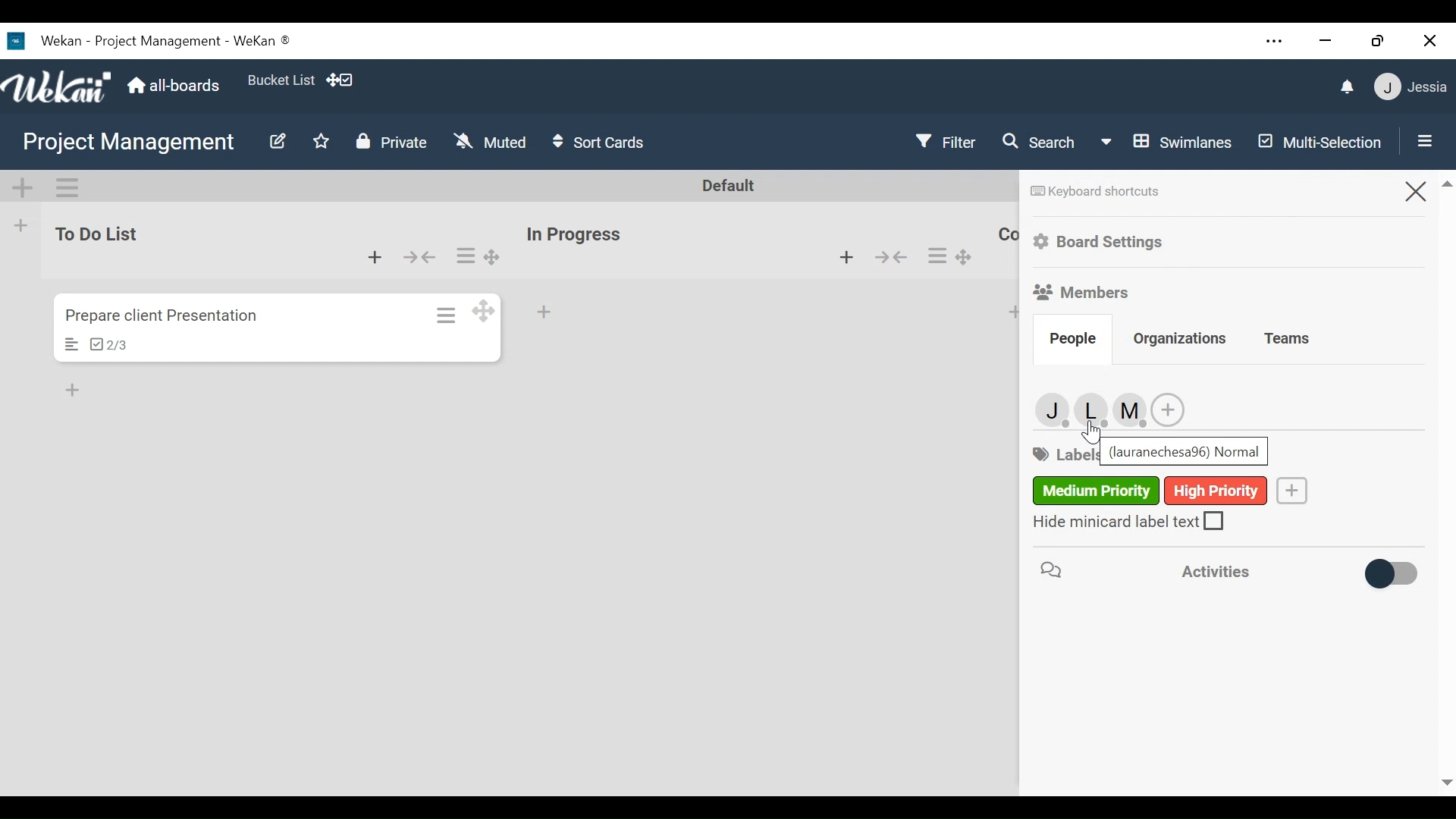  I want to click on Create label, so click(1167, 410).